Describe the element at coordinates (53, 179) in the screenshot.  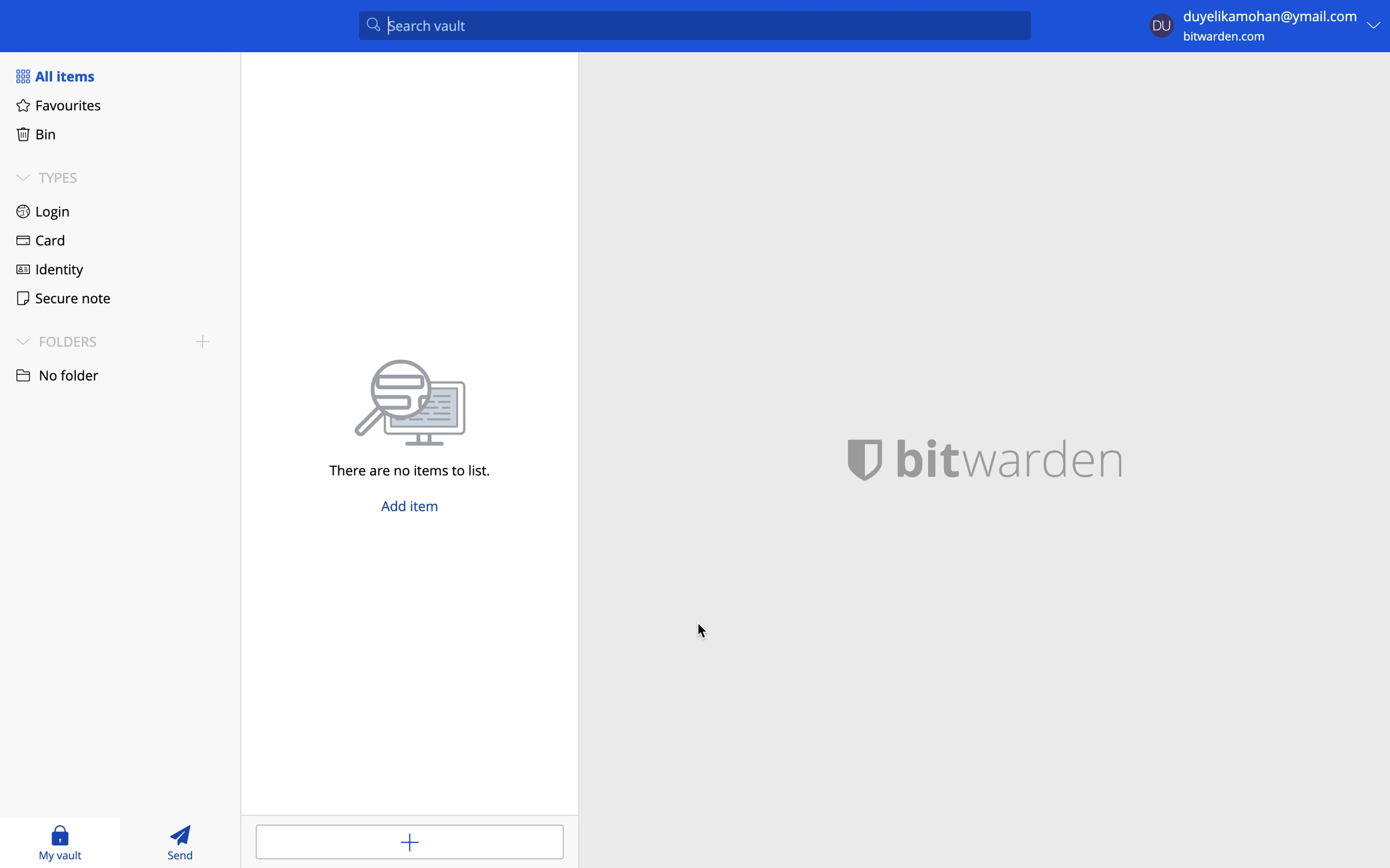
I see `types` at that location.